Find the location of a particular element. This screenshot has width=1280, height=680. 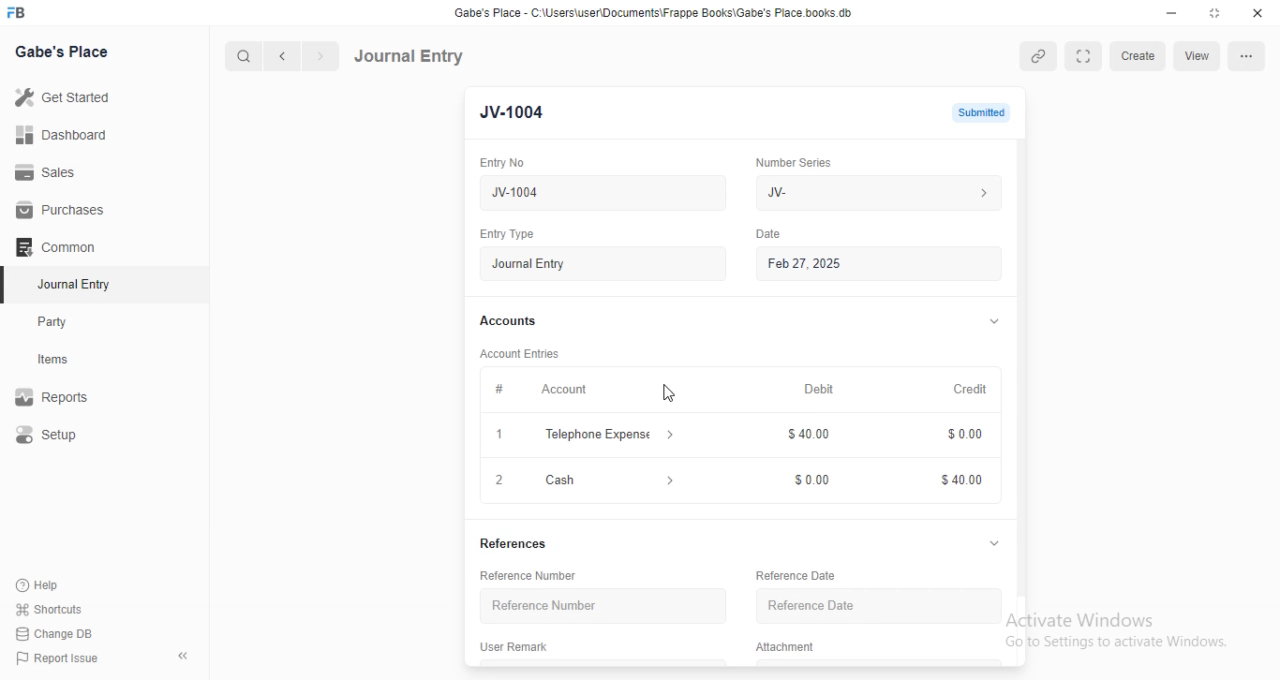

Account is located at coordinates (565, 390).